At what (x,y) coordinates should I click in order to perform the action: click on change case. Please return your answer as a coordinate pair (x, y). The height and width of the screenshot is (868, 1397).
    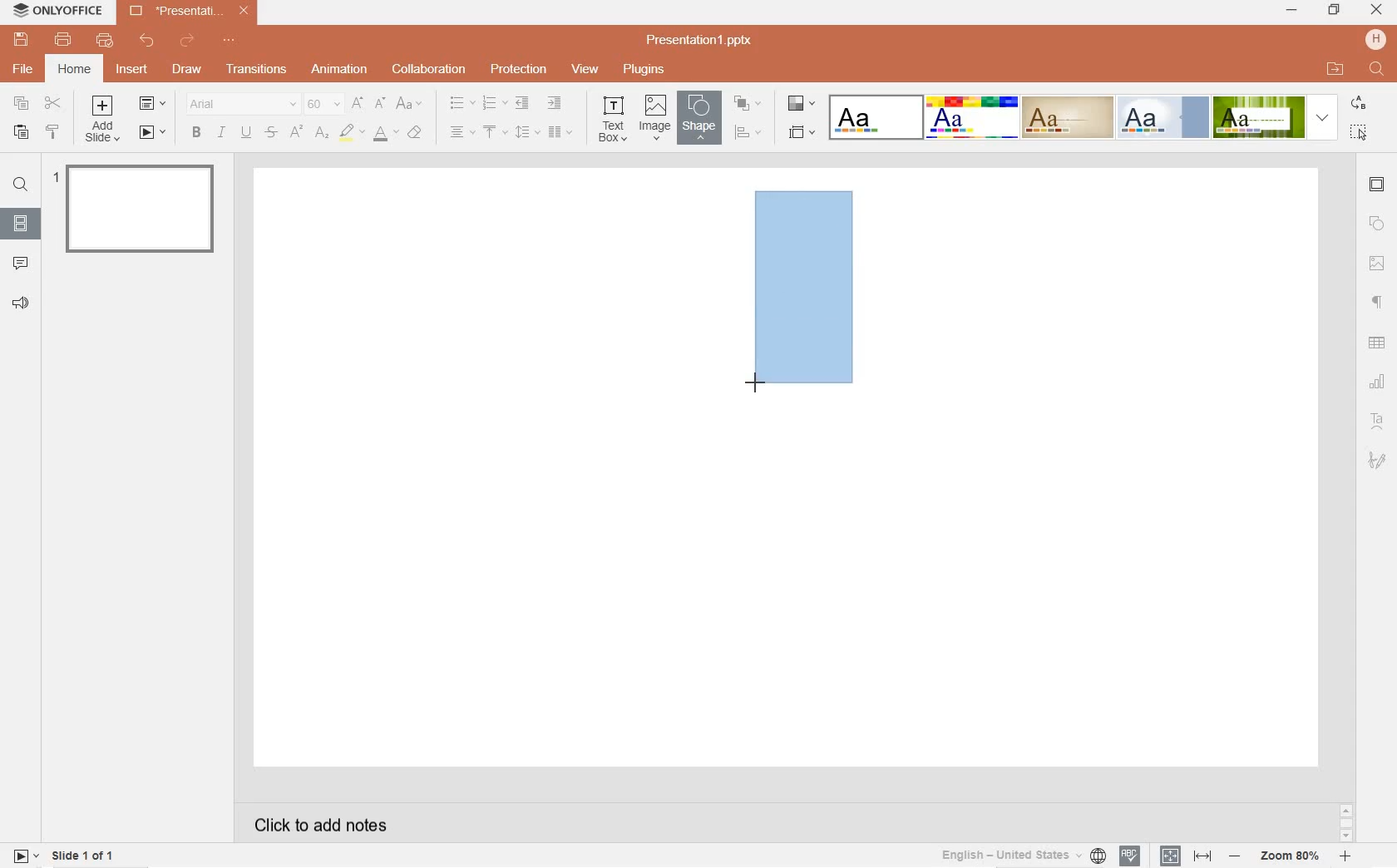
    Looking at the image, I should click on (410, 104).